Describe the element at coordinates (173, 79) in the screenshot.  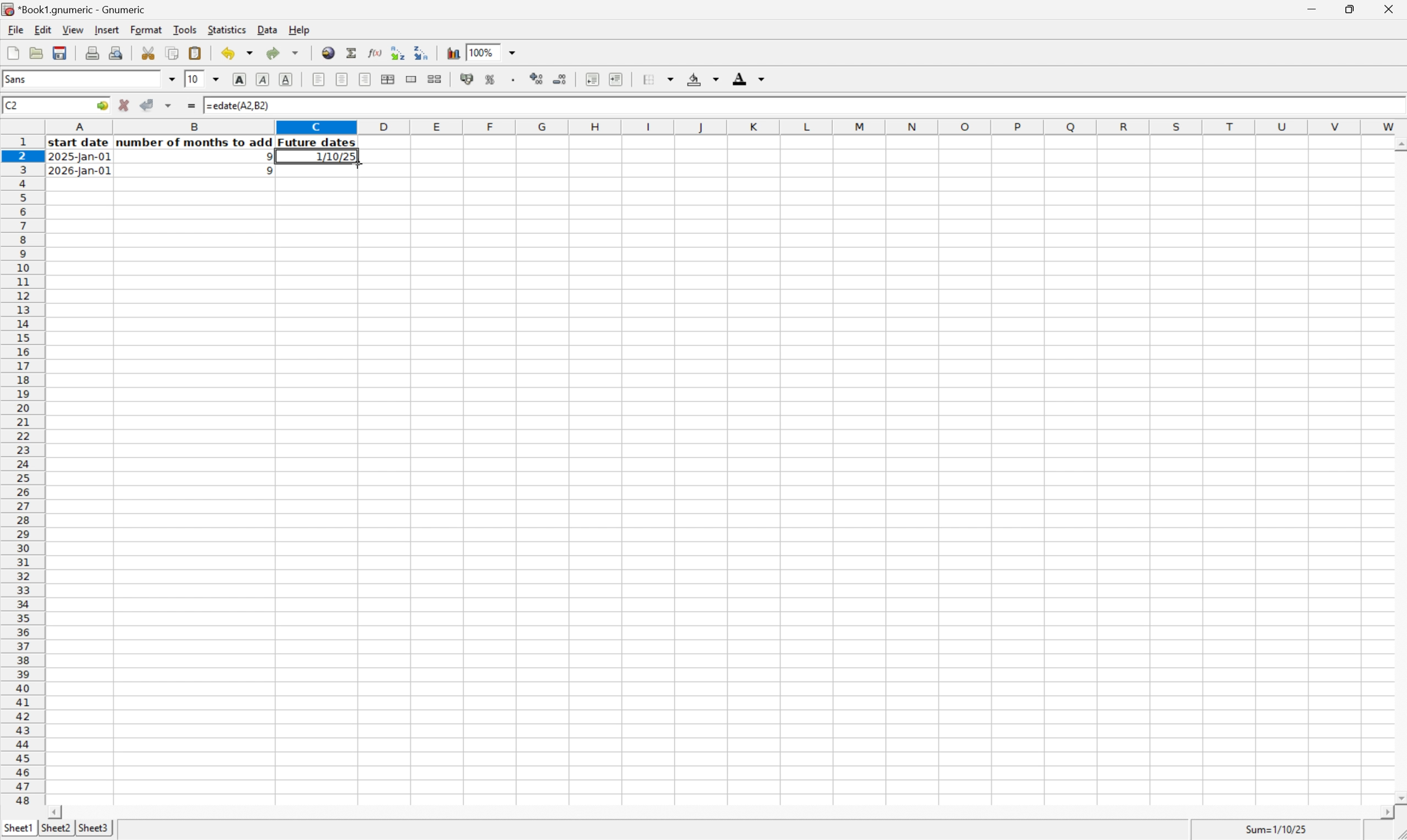
I see `Drop Down` at that location.